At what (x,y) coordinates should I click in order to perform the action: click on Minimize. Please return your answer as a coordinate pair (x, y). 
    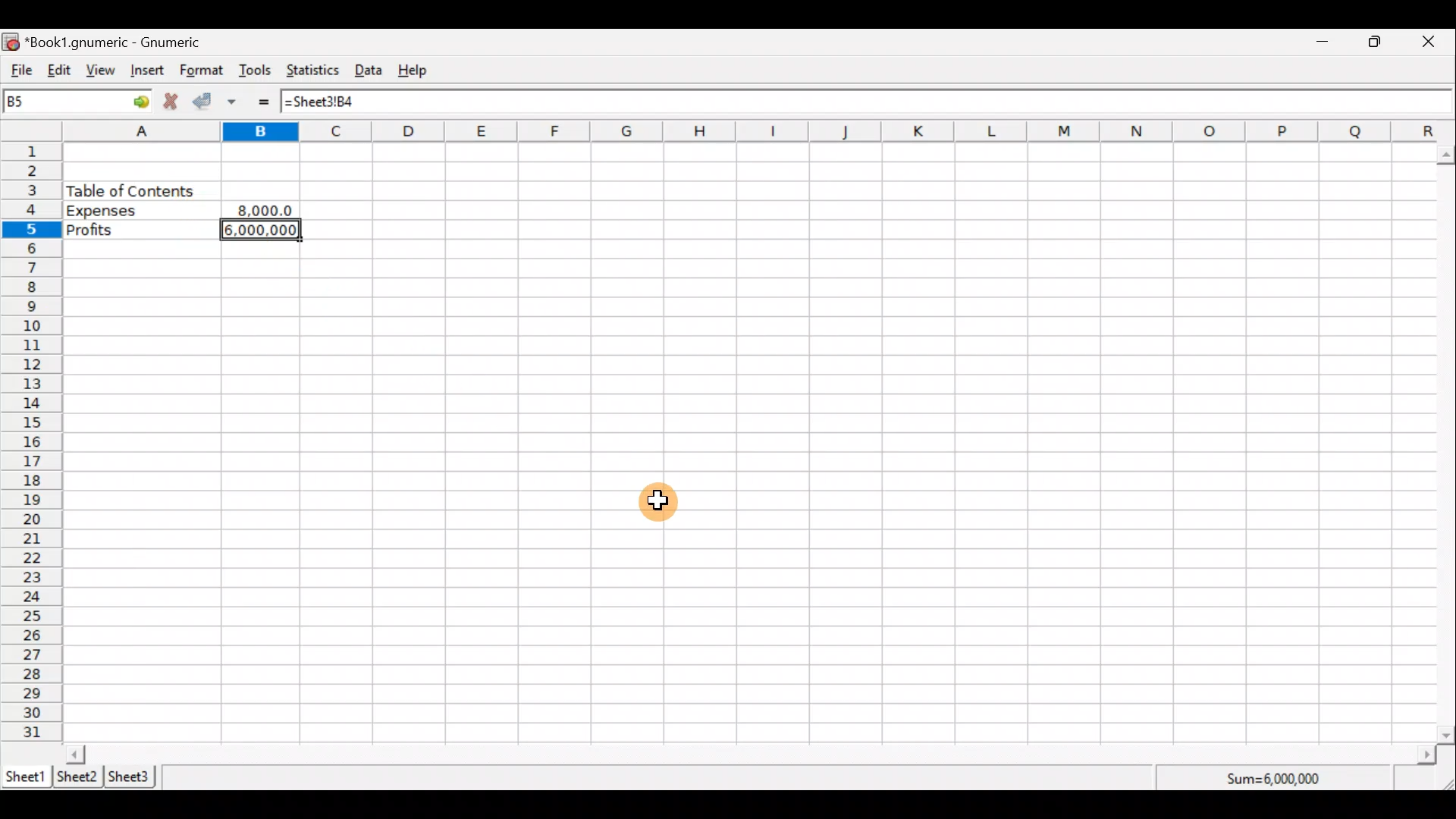
    Looking at the image, I should click on (1323, 43).